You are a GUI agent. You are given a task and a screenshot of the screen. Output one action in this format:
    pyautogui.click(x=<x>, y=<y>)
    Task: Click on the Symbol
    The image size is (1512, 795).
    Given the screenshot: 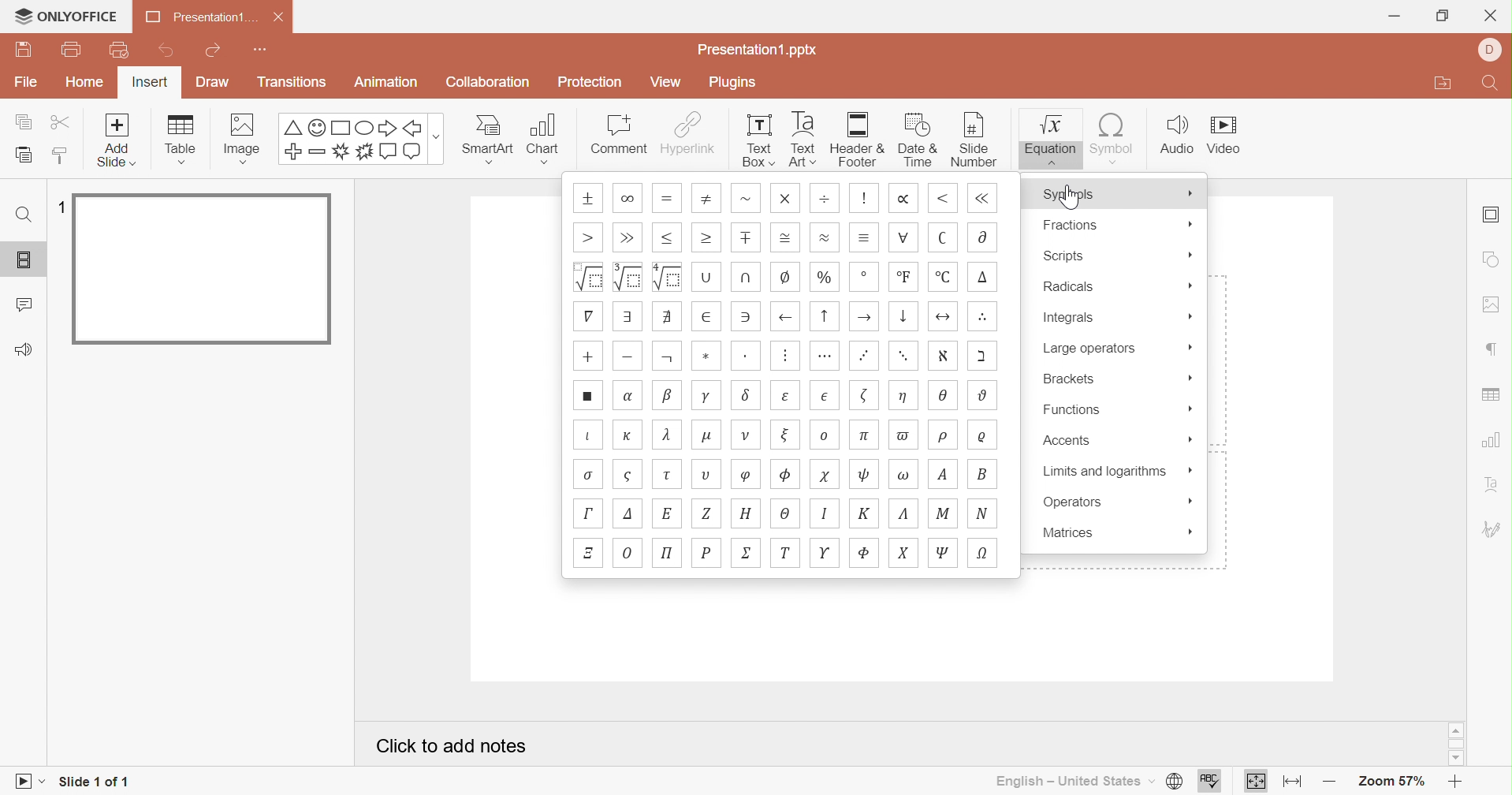 What is the action you would take?
    pyautogui.click(x=1114, y=138)
    